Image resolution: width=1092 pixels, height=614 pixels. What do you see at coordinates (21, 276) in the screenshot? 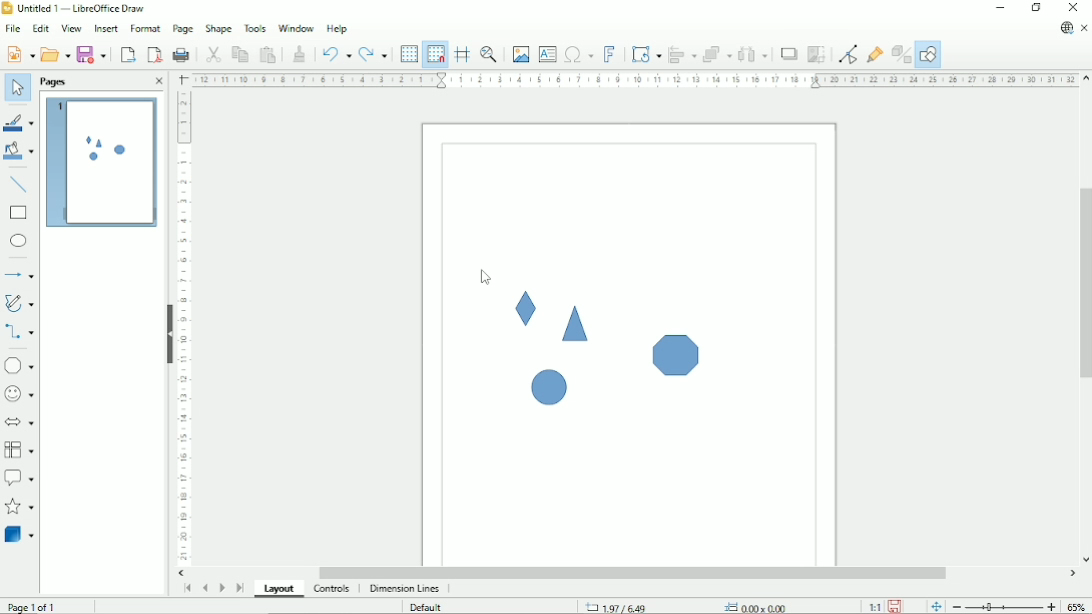
I see `Lines and arrows` at bounding box center [21, 276].